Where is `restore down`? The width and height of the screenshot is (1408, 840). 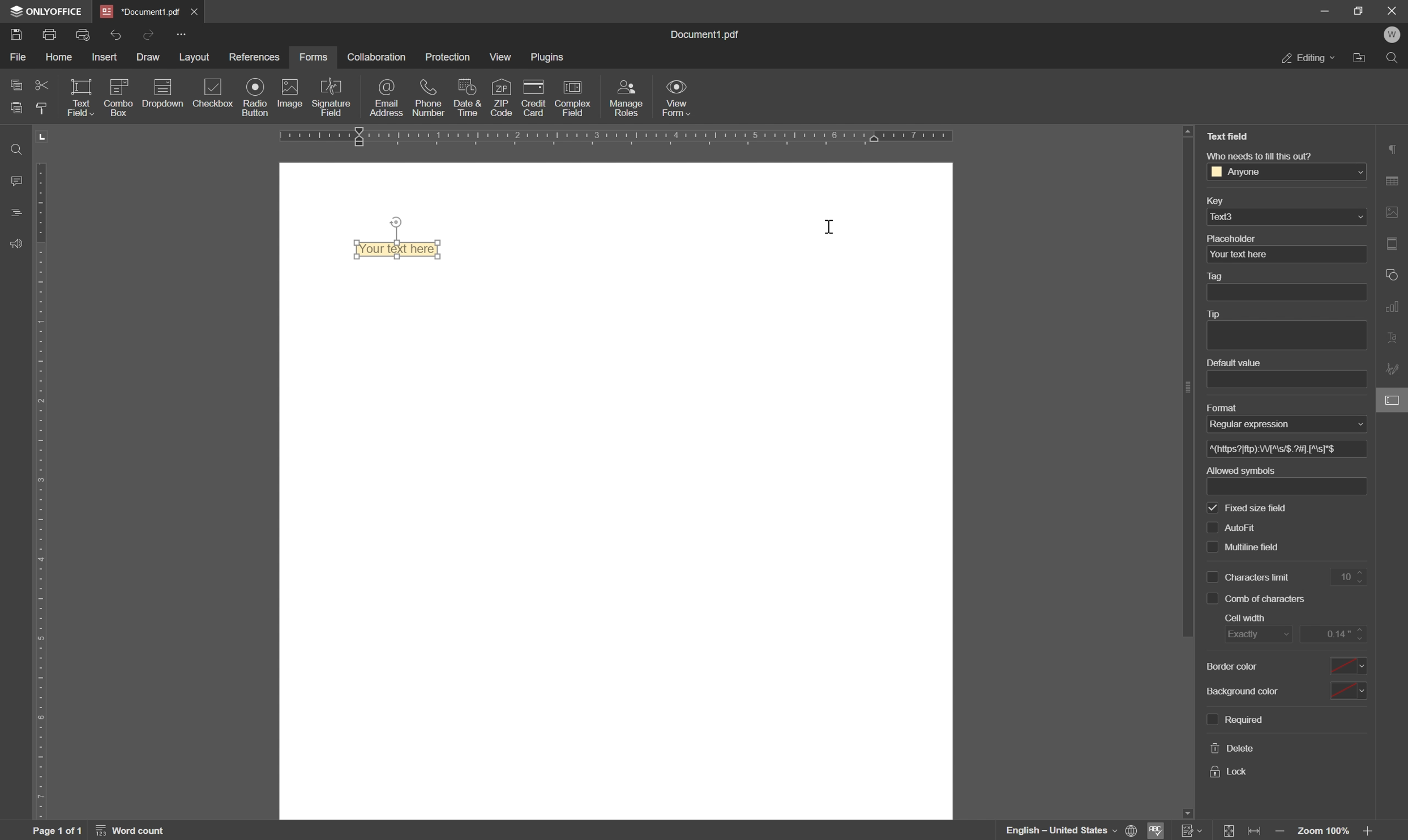
restore down is located at coordinates (1358, 10).